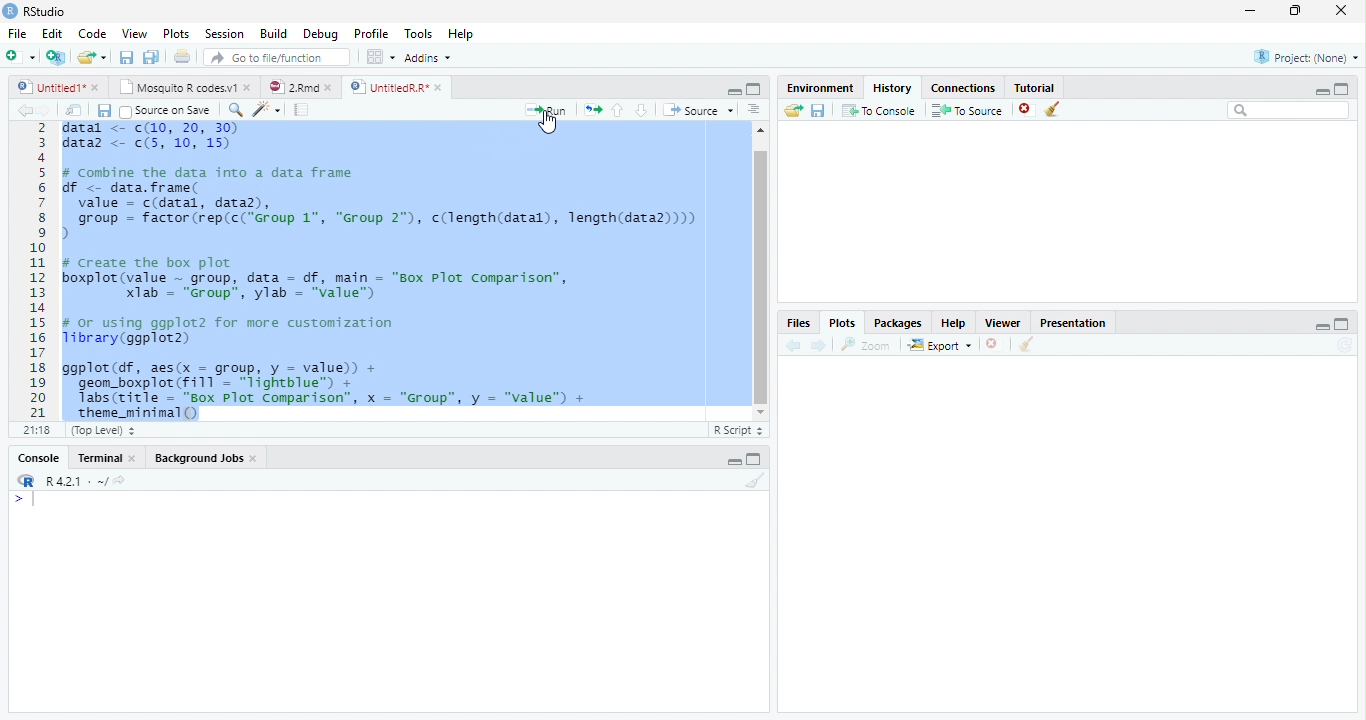  I want to click on View the current working directory, so click(119, 480).